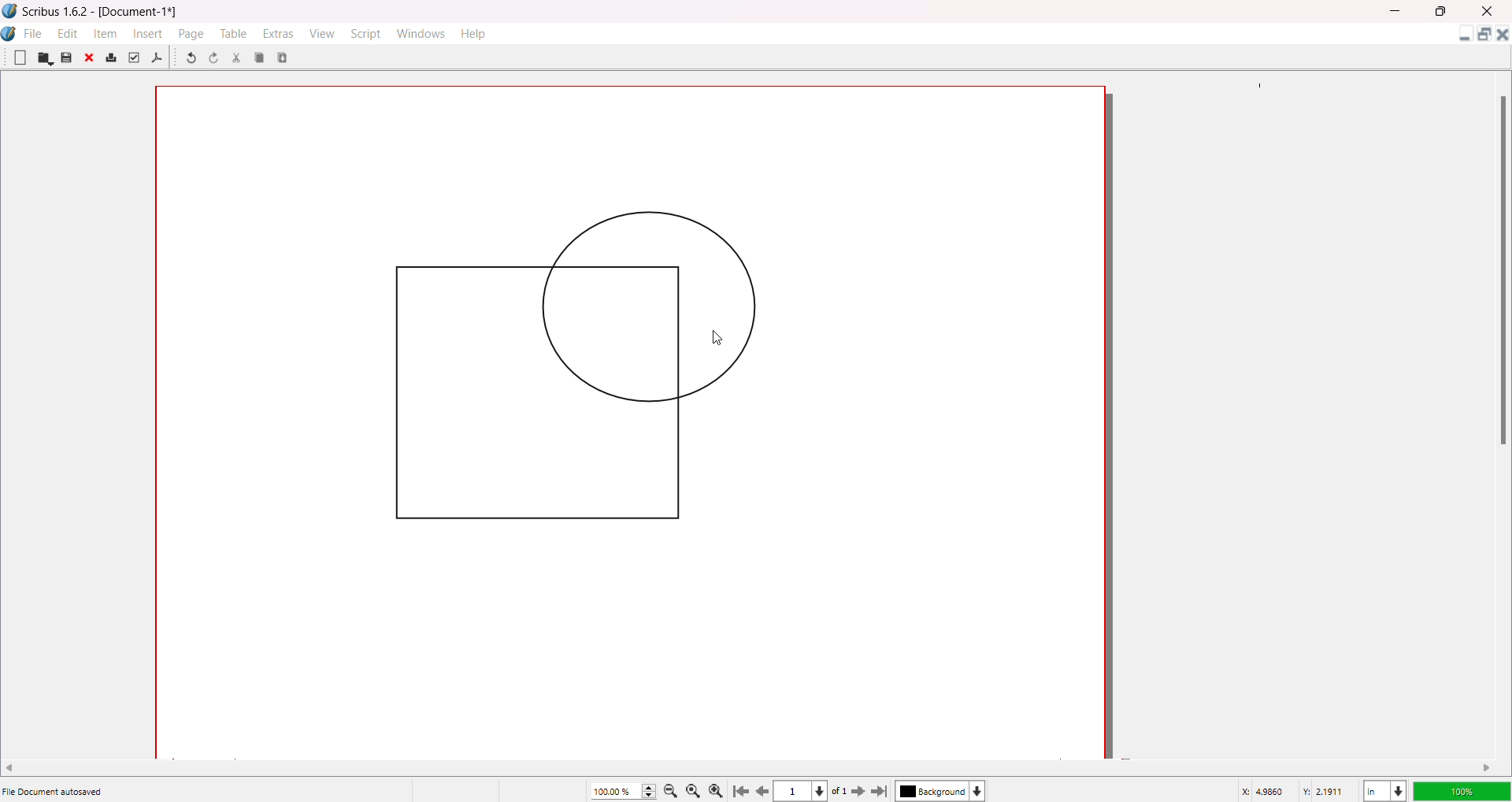 Image resolution: width=1512 pixels, height=802 pixels. What do you see at coordinates (279, 33) in the screenshot?
I see `Extras` at bounding box center [279, 33].